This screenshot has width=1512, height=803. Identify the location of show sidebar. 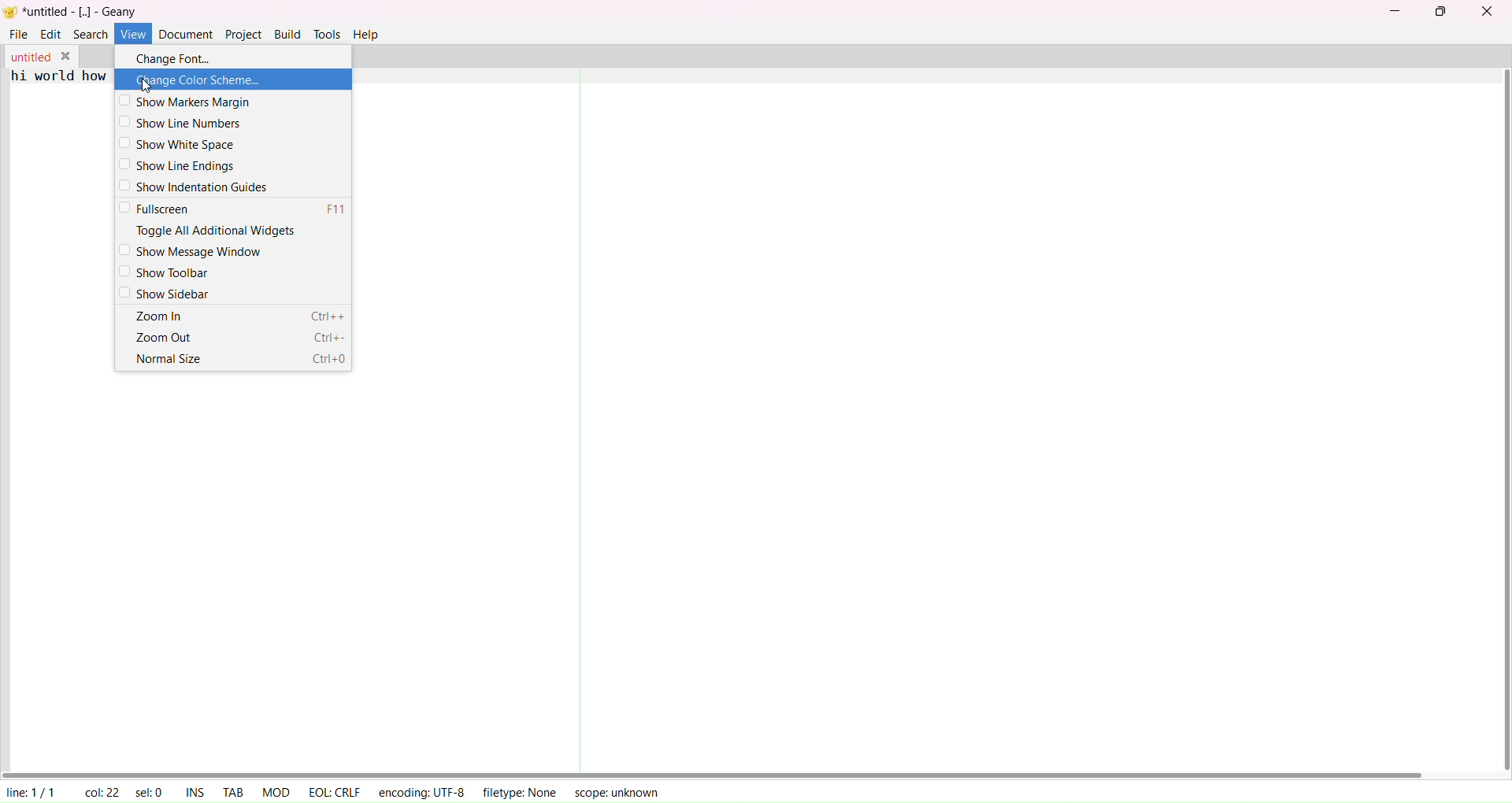
(167, 294).